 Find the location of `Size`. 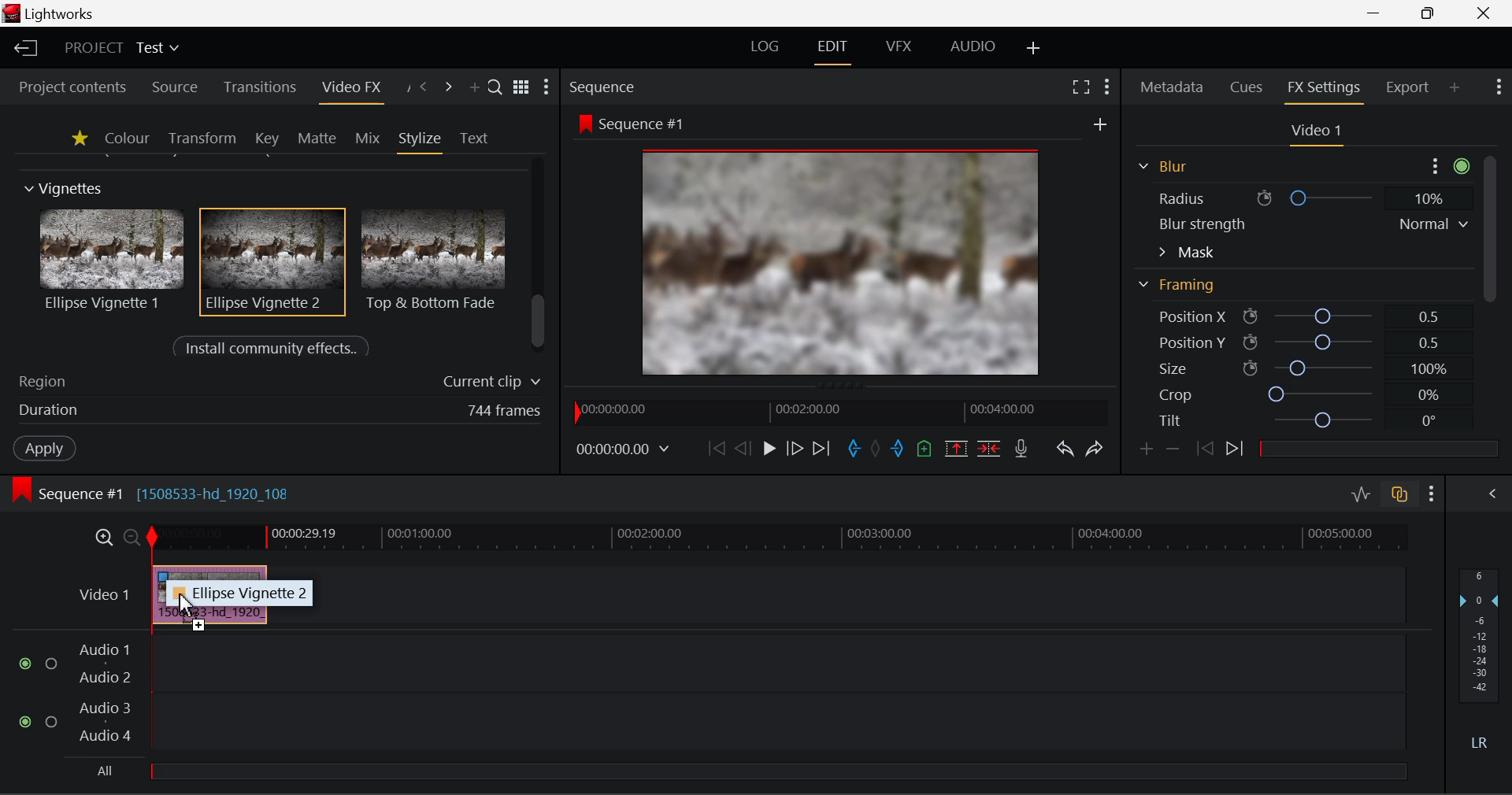

Size is located at coordinates (1299, 368).